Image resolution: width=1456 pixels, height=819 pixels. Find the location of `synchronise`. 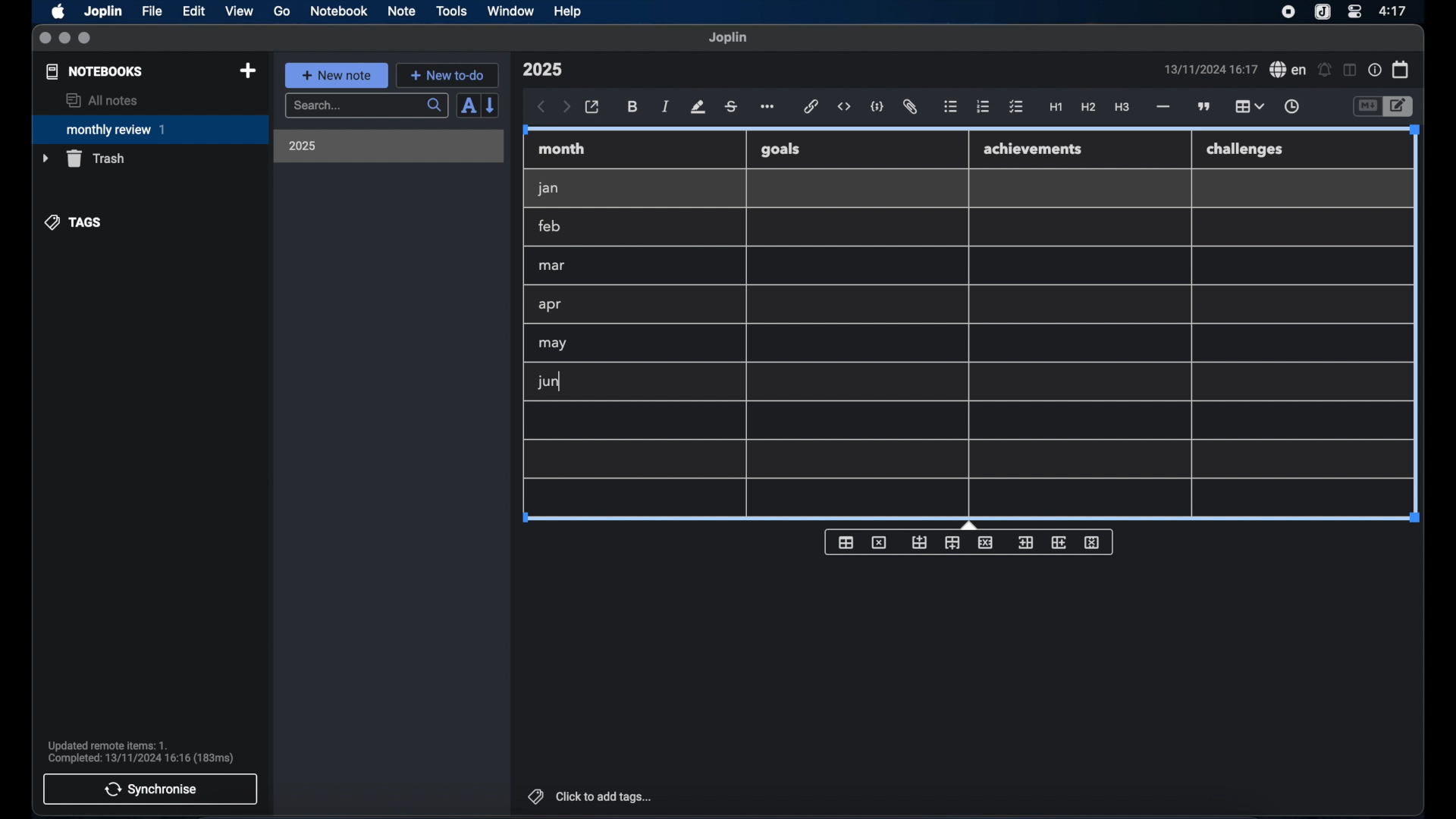

synchronise is located at coordinates (150, 789).